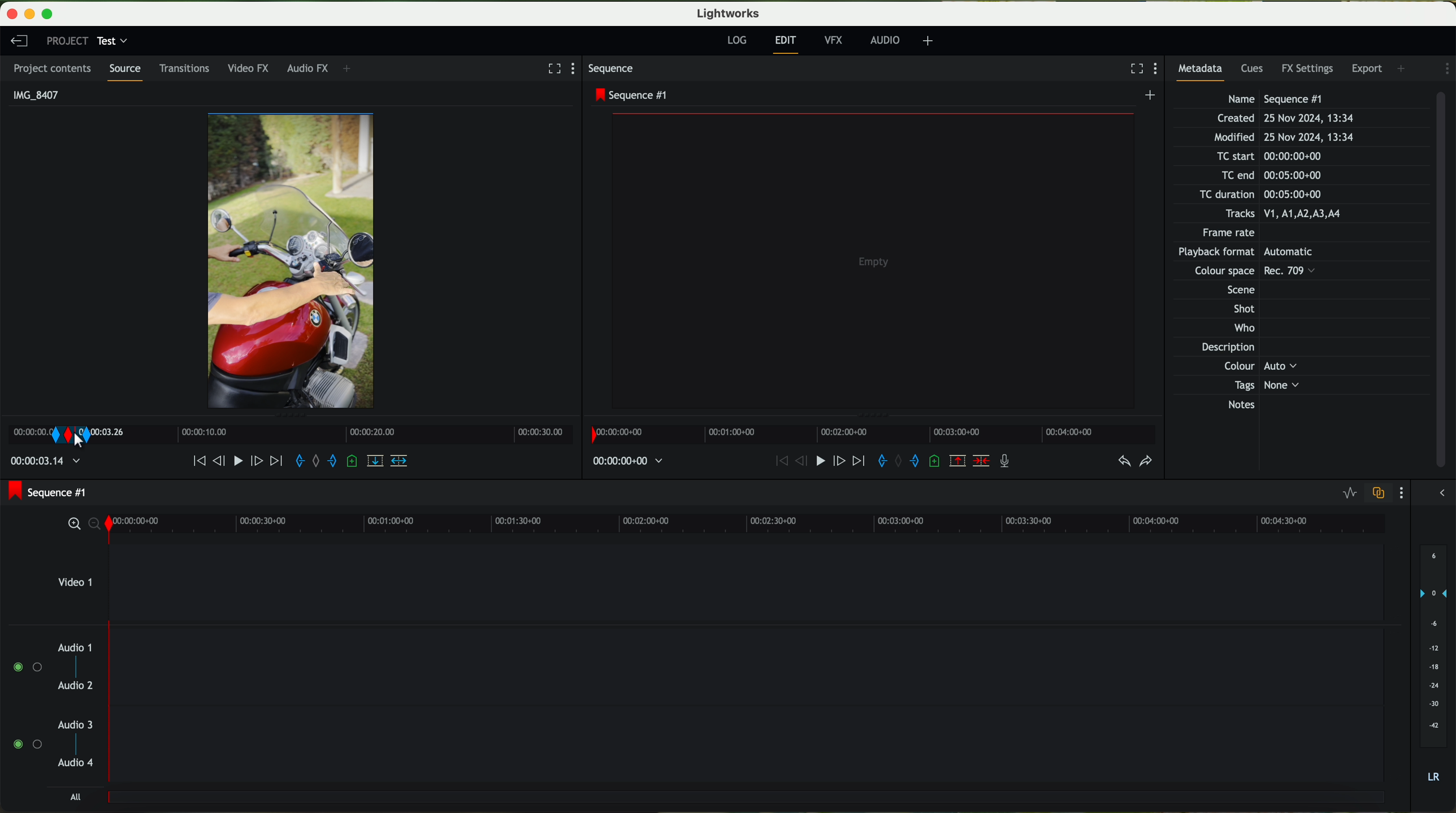  Describe the element at coordinates (928, 42) in the screenshot. I see `+` at that location.